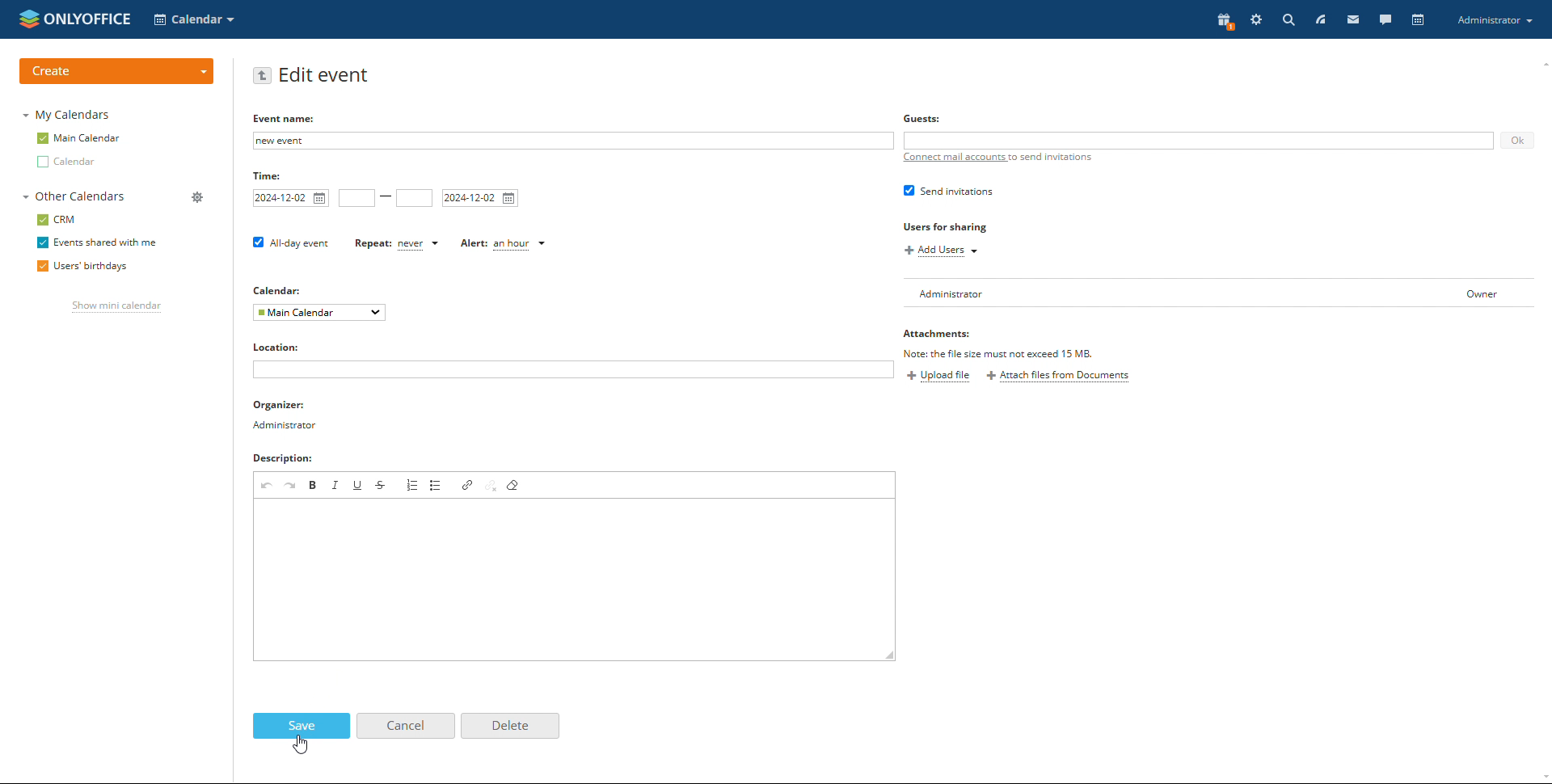 Image resolution: width=1552 pixels, height=784 pixels. I want to click on all day event checkbox, so click(291, 242).